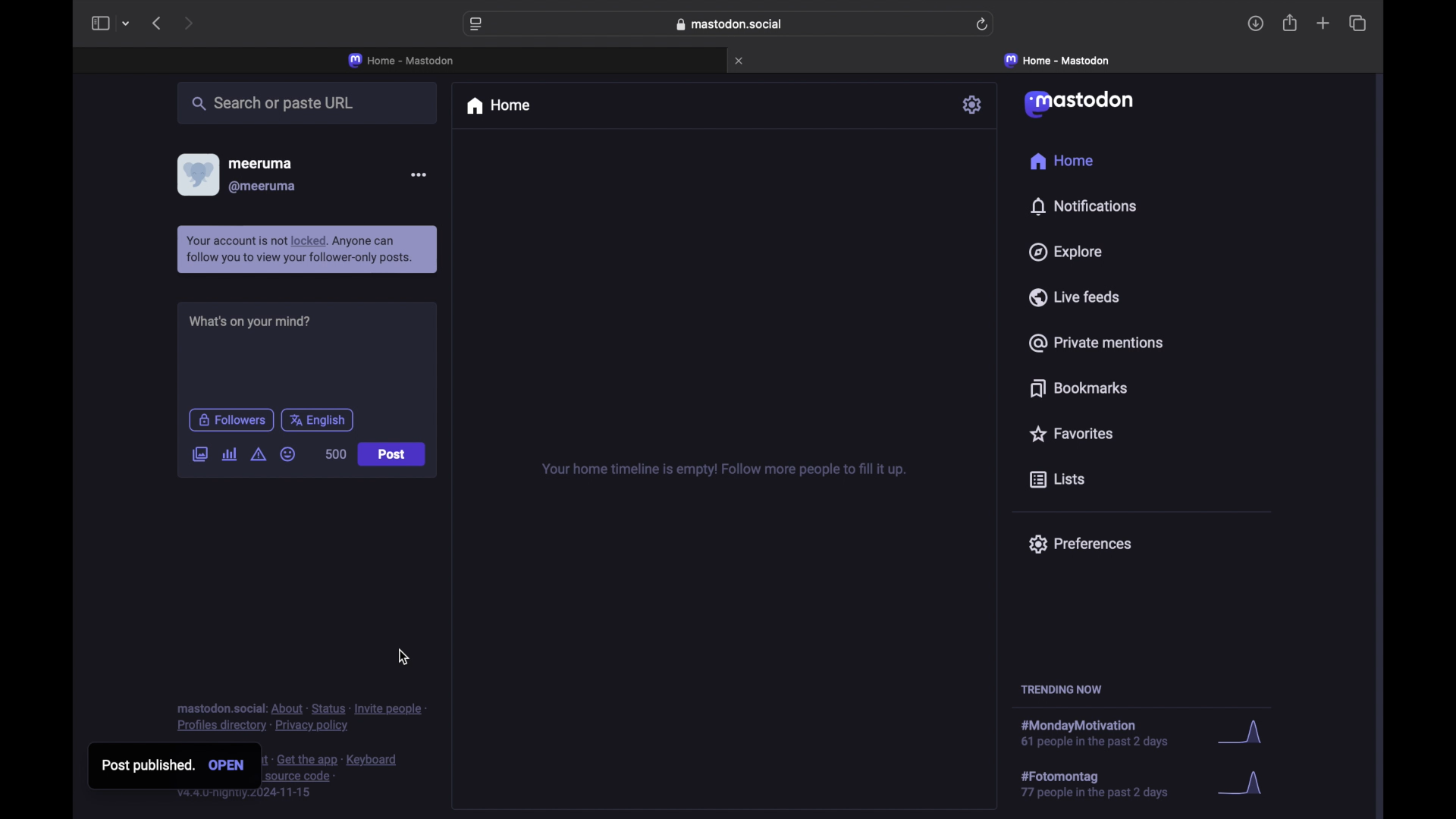 This screenshot has width=1456, height=819. What do you see at coordinates (1074, 435) in the screenshot?
I see `favorites` at bounding box center [1074, 435].